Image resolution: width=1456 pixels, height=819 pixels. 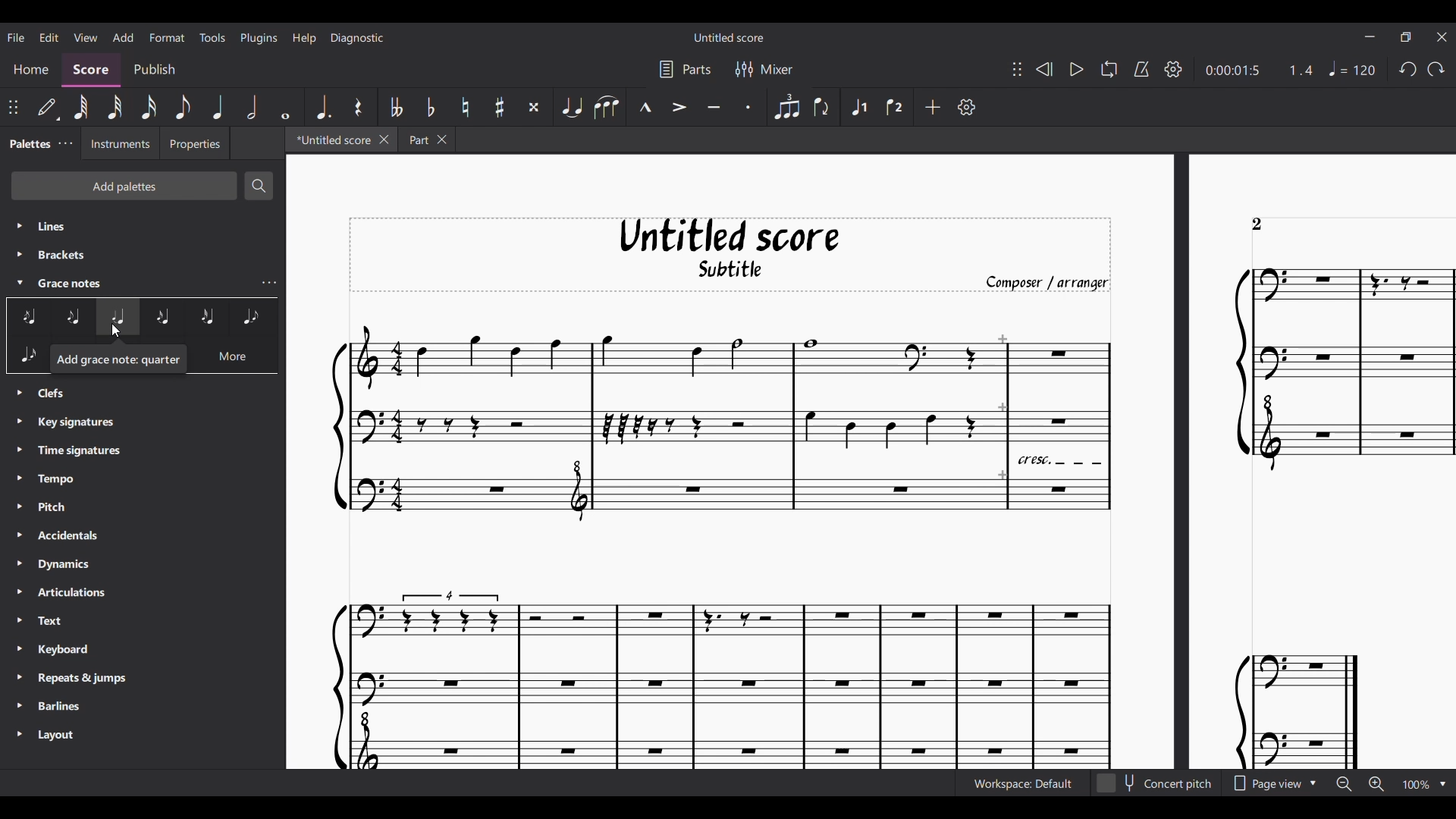 What do you see at coordinates (499, 108) in the screenshot?
I see `Toggle sharp` at bounding box center [499, 108].